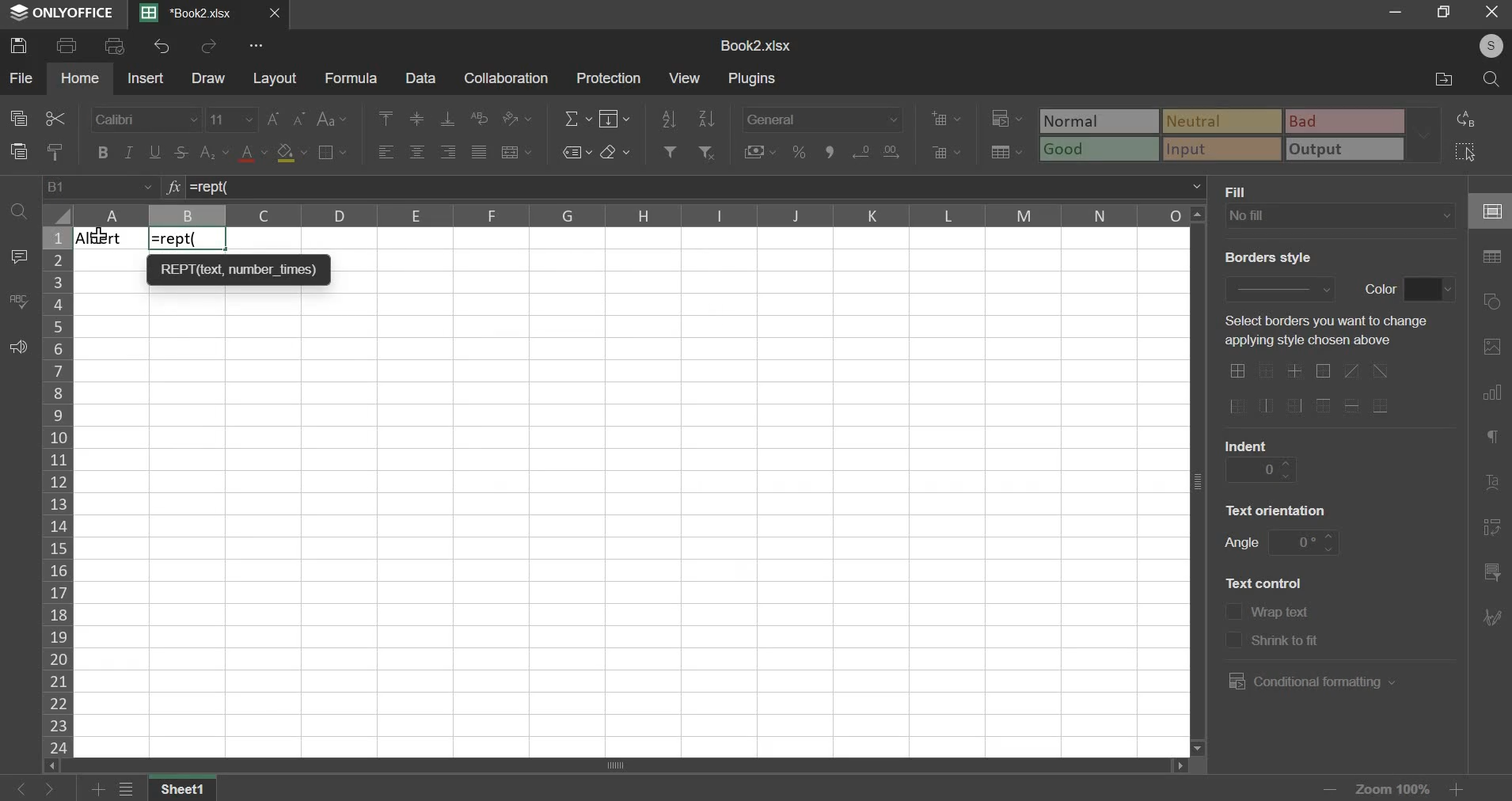  I want to click on function, so click(173, 186).